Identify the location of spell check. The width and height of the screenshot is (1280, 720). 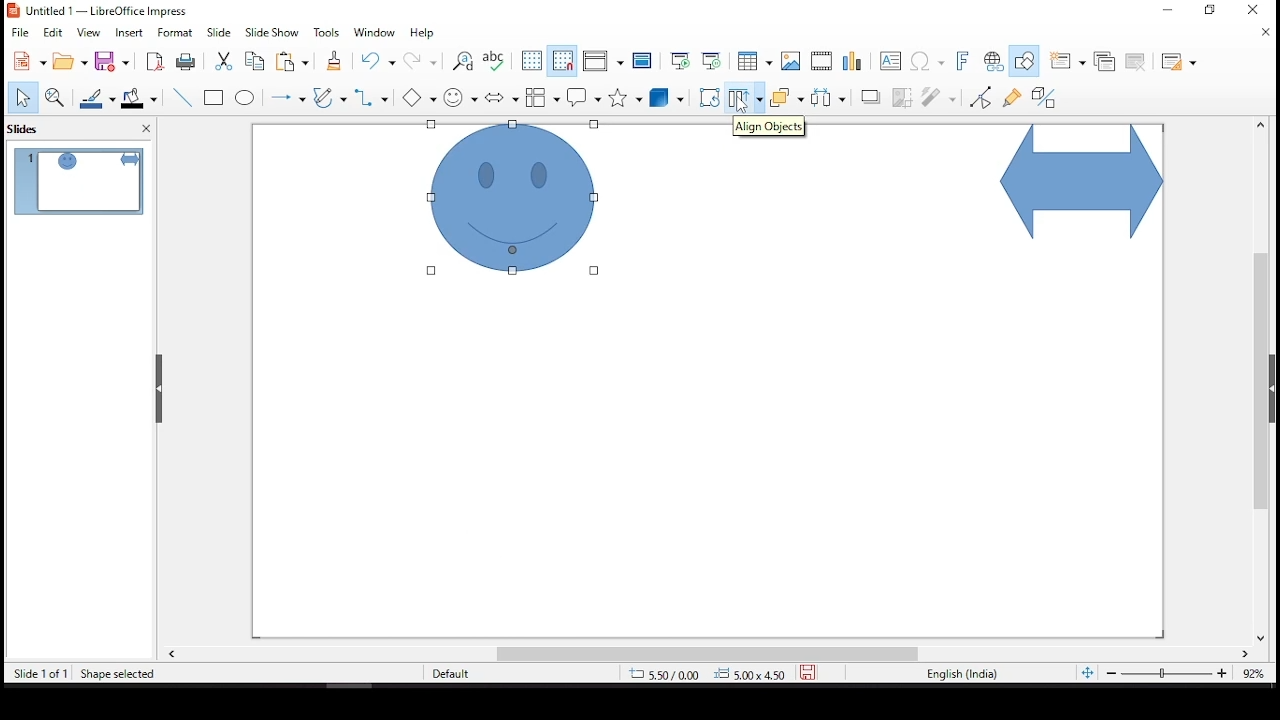
(495, 61).